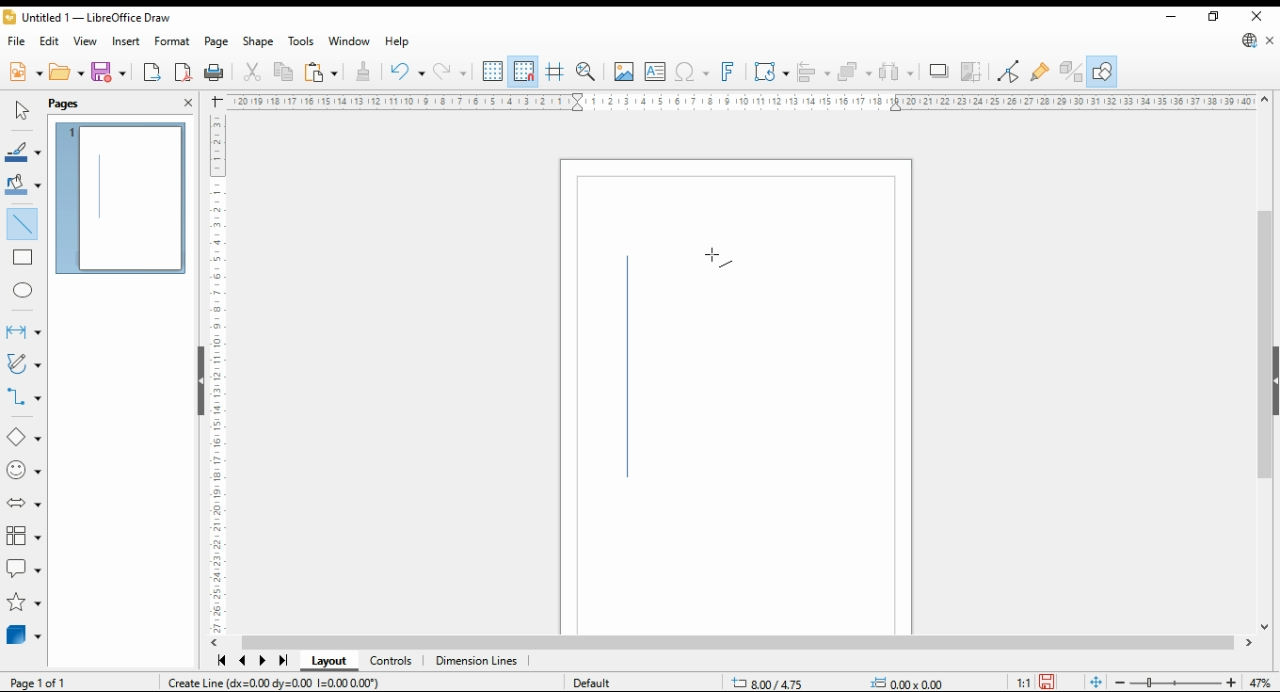 This screenshot has width=1280, height=692. What do you see at coordinates (1021, 680) in the screenshot?
I see `1:1` at bounding box center [1021, 680].